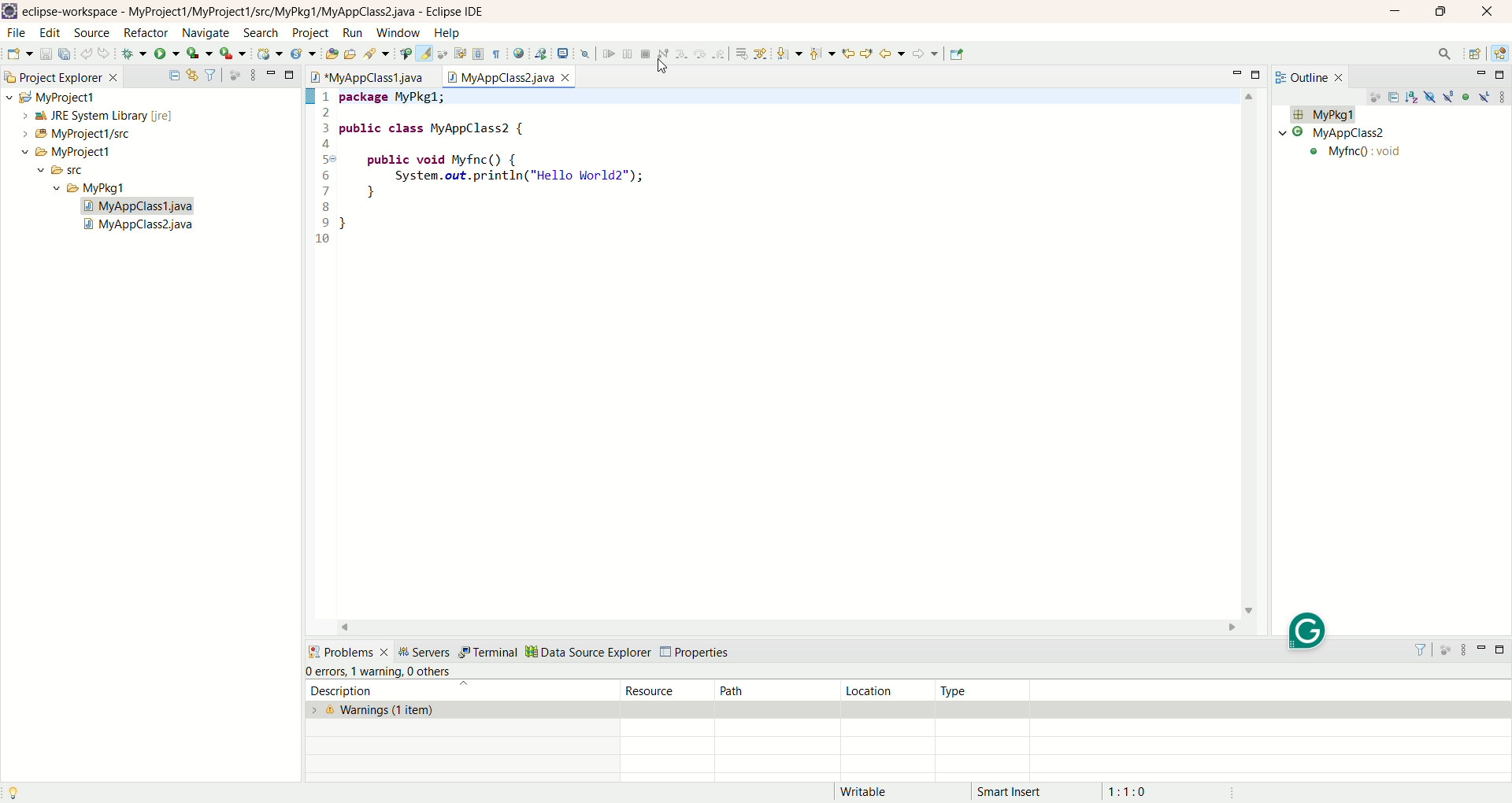 The height and width of the screenshot is (803, 1512). I want to click on search, so click(1445, 55).